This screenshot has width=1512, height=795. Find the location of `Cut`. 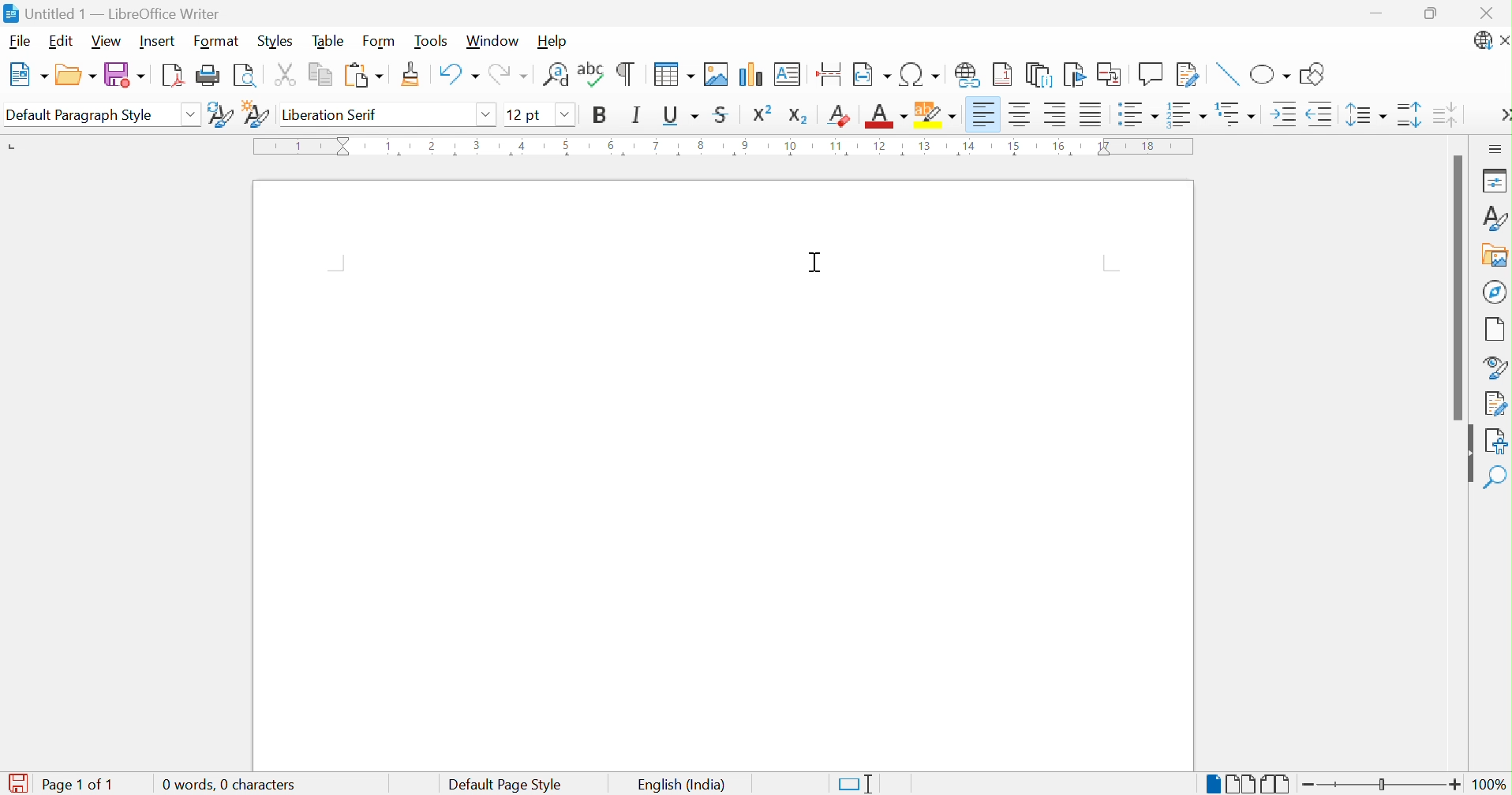

Cut is located at coordinates (287, 73).